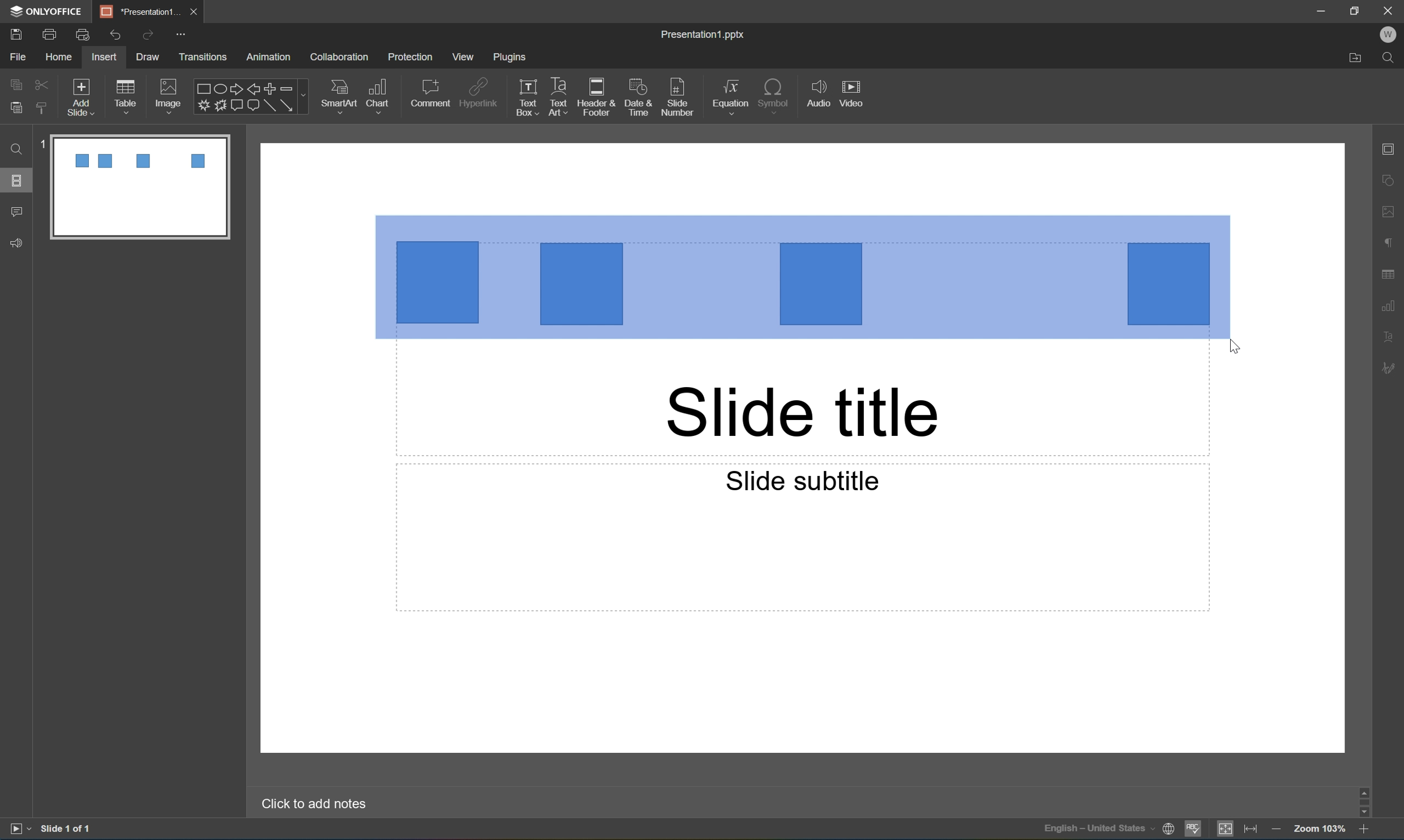 Image resolution: width=1404 pixels, height=840 pixels. Describe the element at coordinates (1393, 213) in the screenshot. I see `image settings` at that location.